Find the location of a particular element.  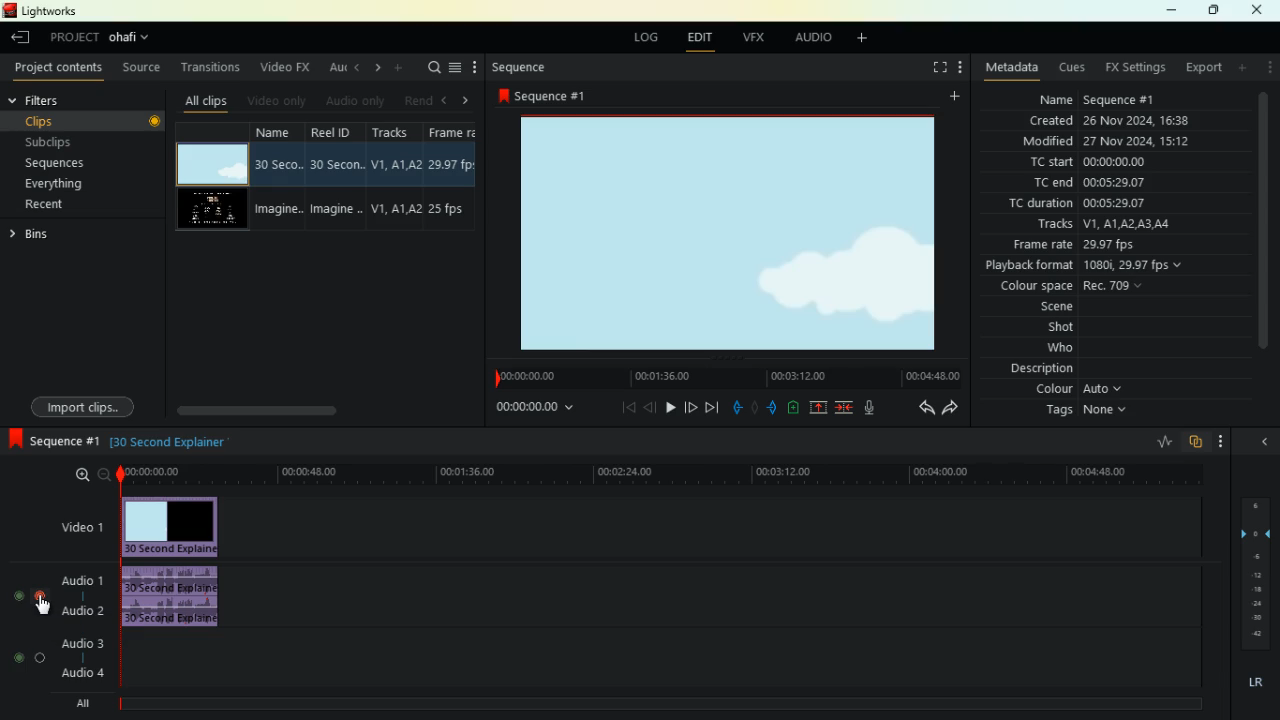

project selected is located at coordinates (102, 36).